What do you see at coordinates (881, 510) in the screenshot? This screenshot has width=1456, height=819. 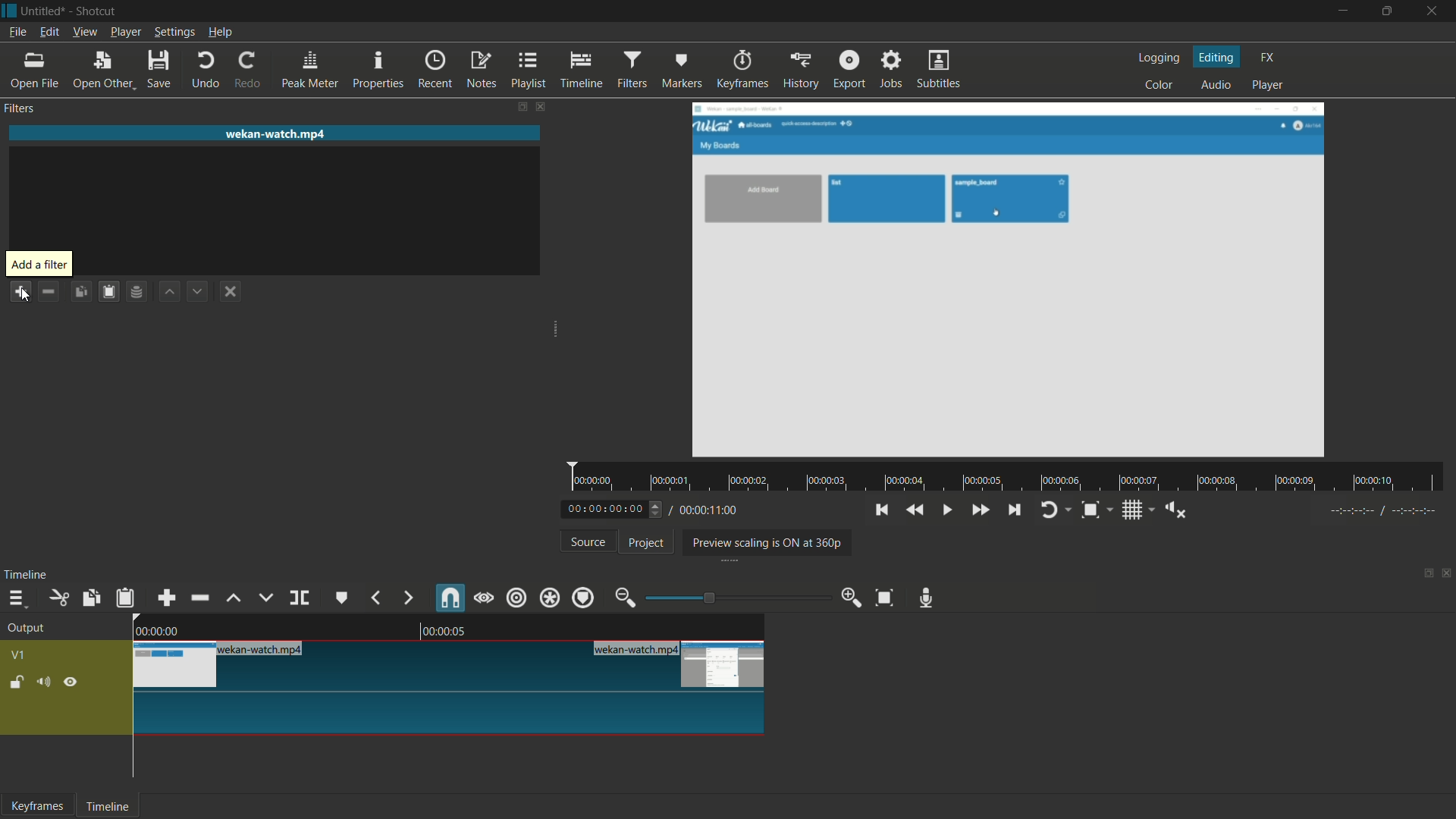 I see `skip to the previous point` at bounding box center [881, 510].